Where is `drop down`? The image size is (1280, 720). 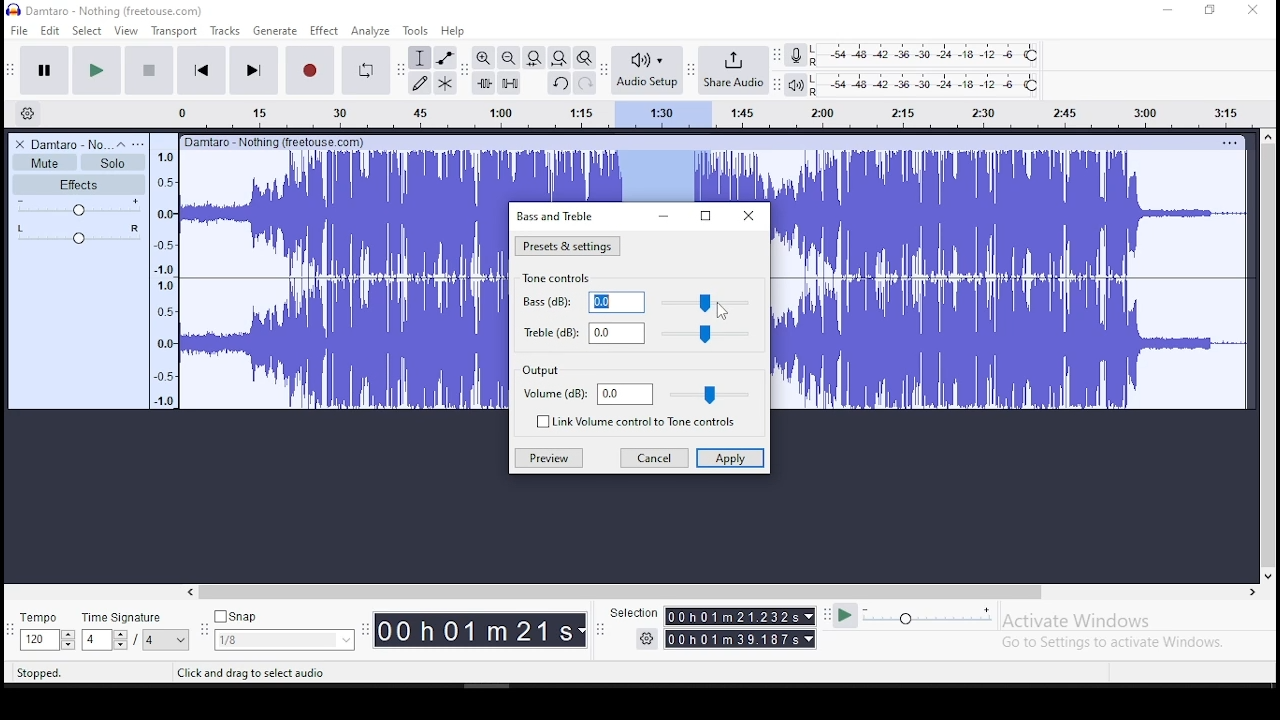 drop down is located at coordinates (344, 640).